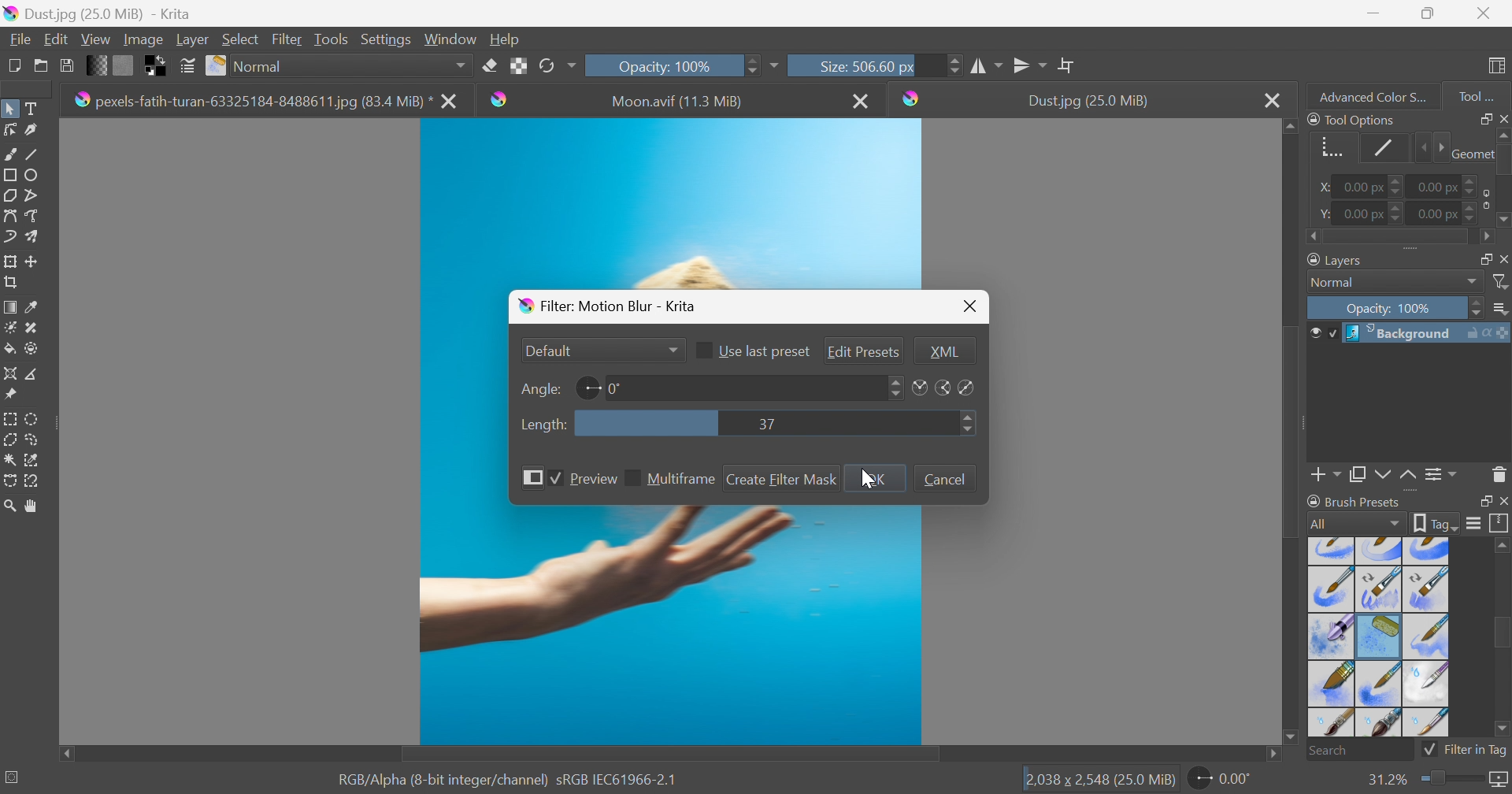 The height and width of the screenshot is (794, 1512). What do you see at coordinates (1368, 95) in the screenshot?
I see `Advanced color s...` at bounding box center [1368, 95].